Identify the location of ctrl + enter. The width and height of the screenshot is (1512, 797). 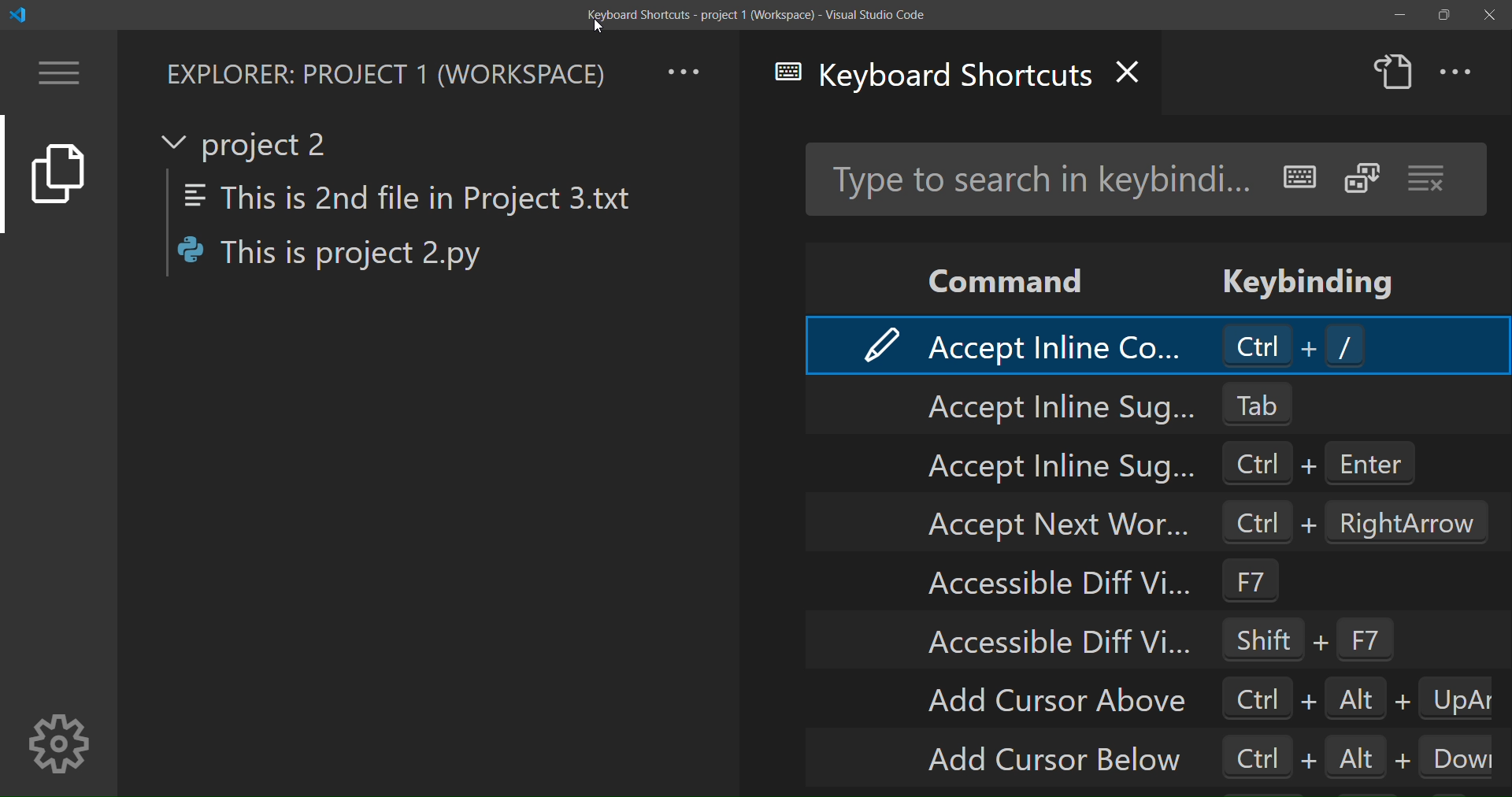
(1334, 465).